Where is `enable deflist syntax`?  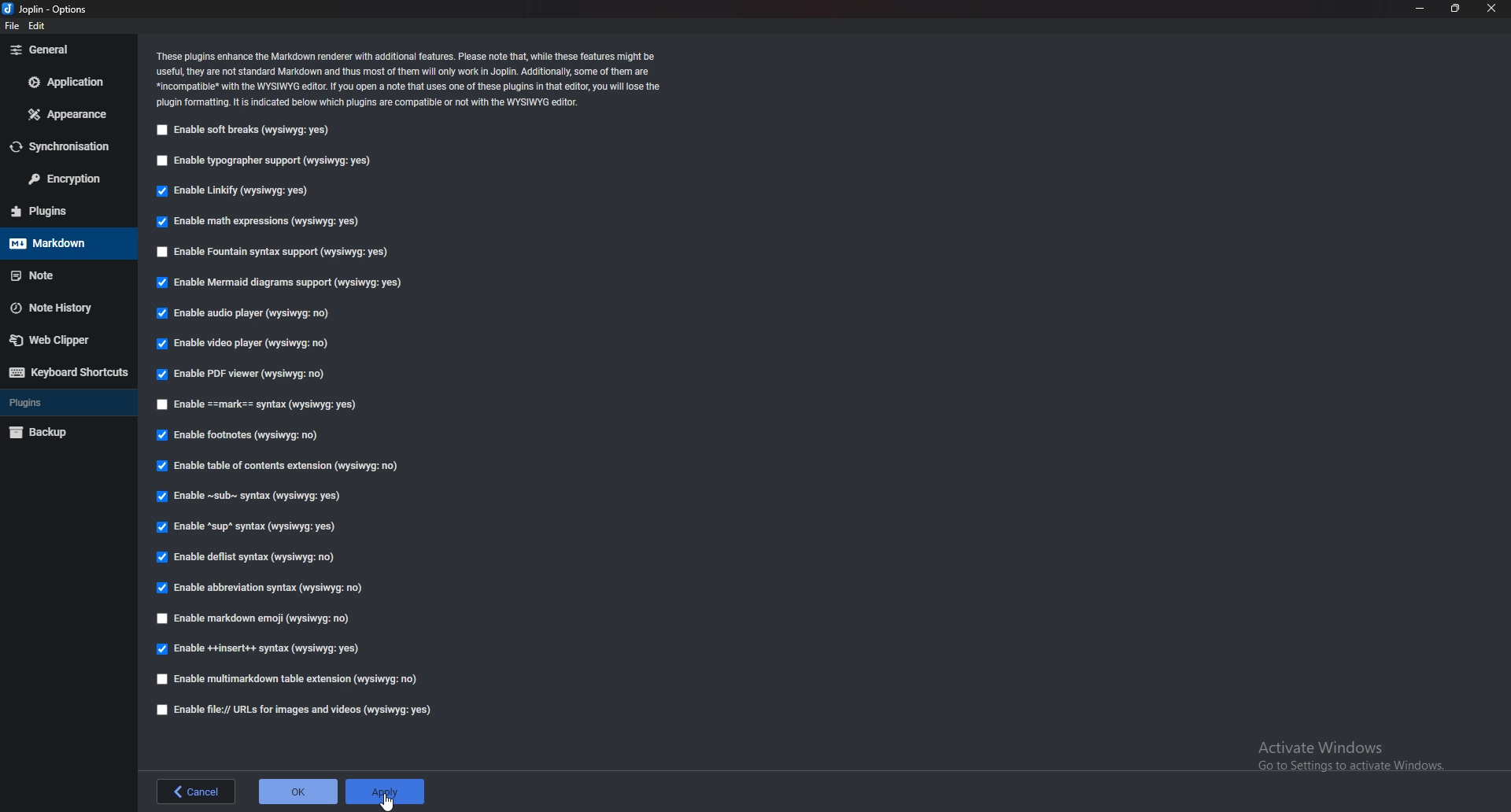
enable deflist syntax is located at coordinates (244, 557).